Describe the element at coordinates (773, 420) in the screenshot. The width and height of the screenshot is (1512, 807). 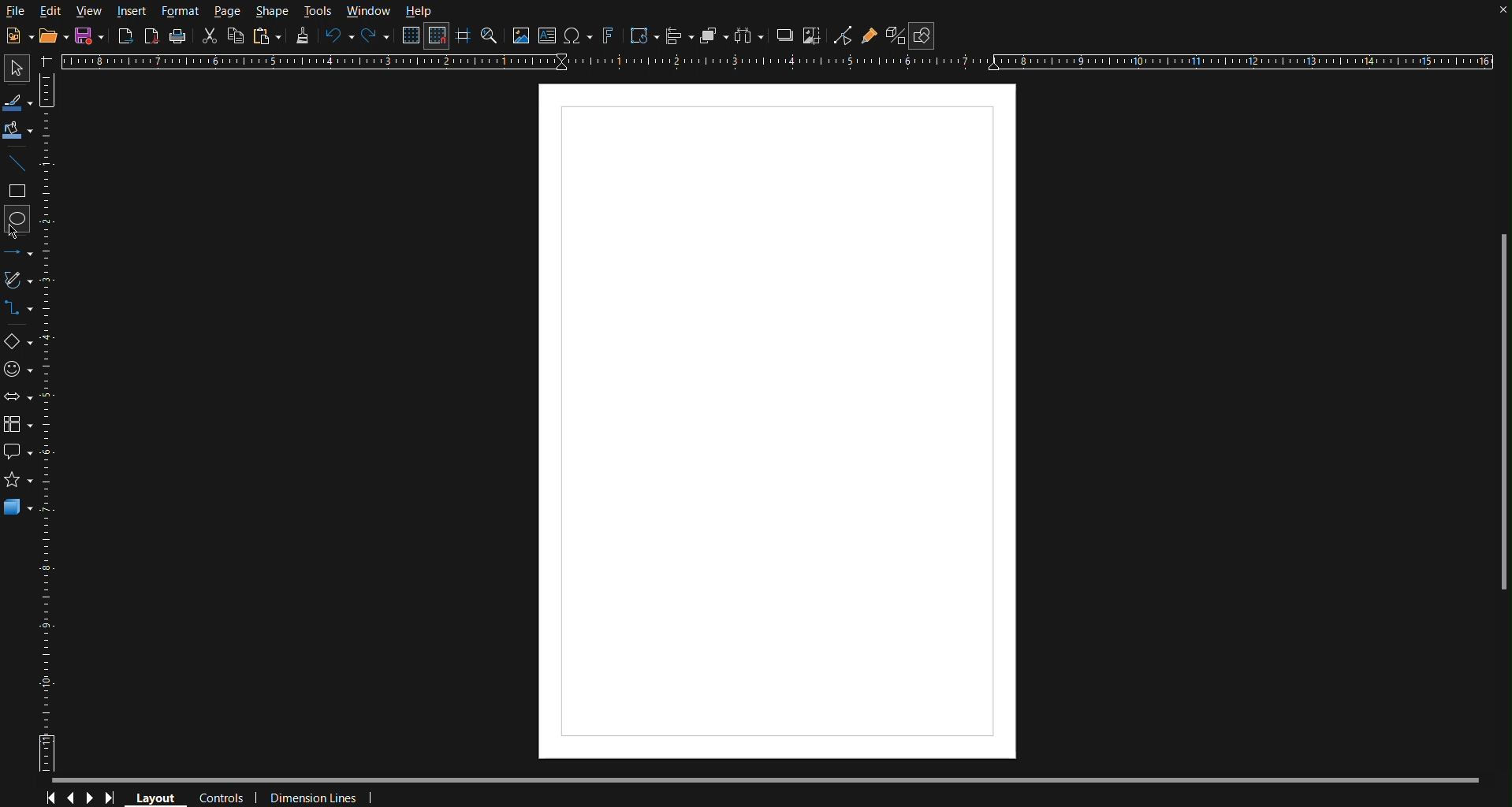
I see `Canvas` at that location.